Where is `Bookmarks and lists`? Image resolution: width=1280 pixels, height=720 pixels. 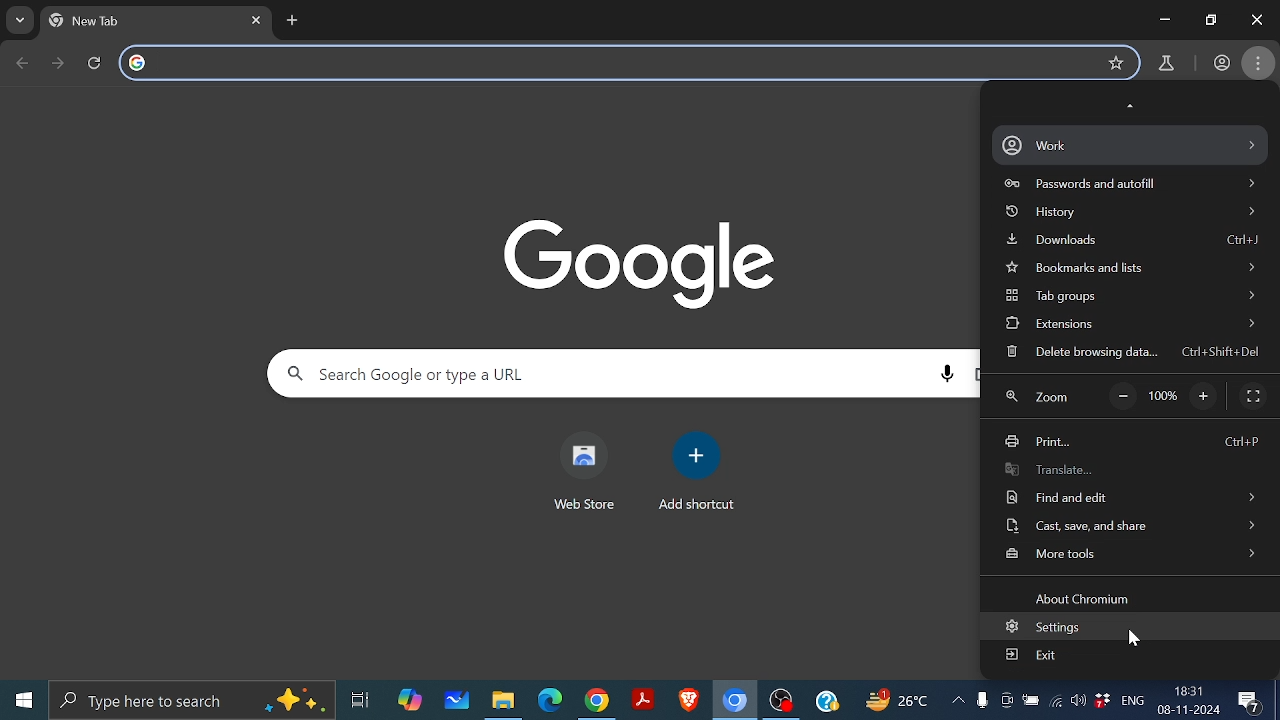
Bookmarks and lists is located at coordinates (1132, 270).